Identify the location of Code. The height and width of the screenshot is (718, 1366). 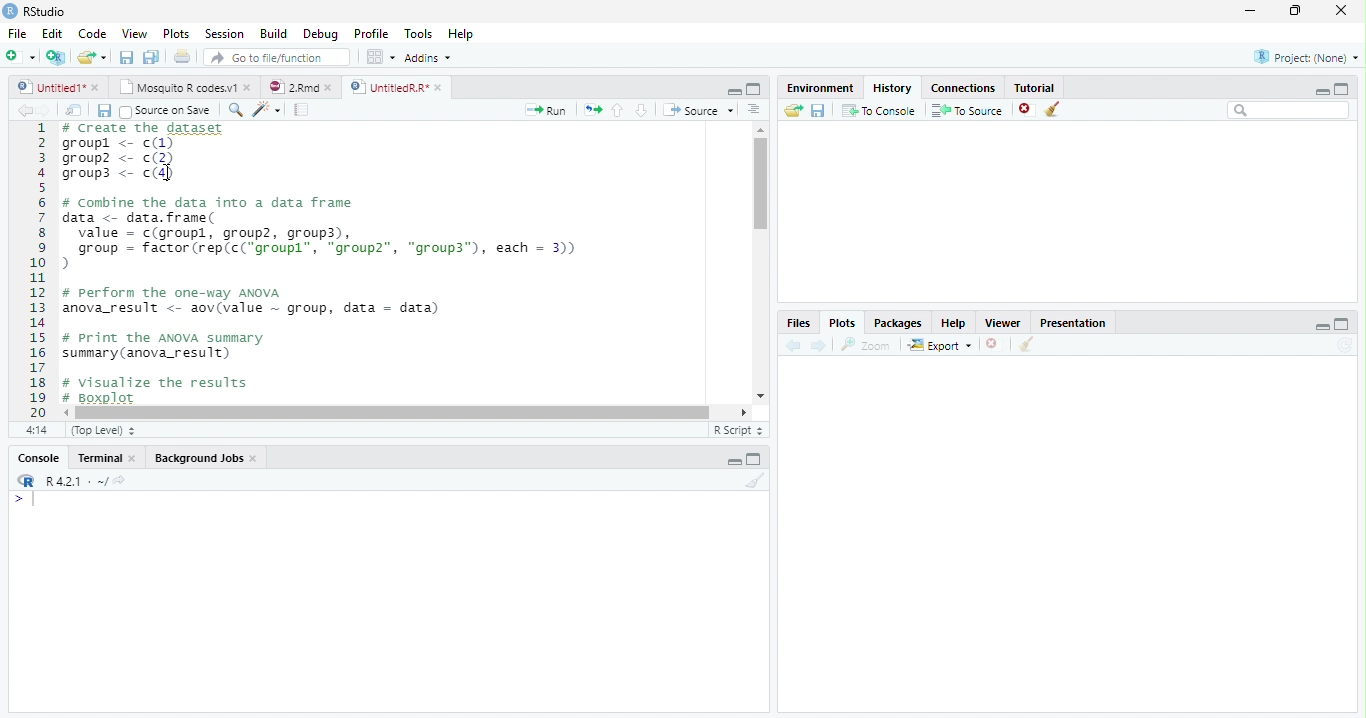
(90, 34).